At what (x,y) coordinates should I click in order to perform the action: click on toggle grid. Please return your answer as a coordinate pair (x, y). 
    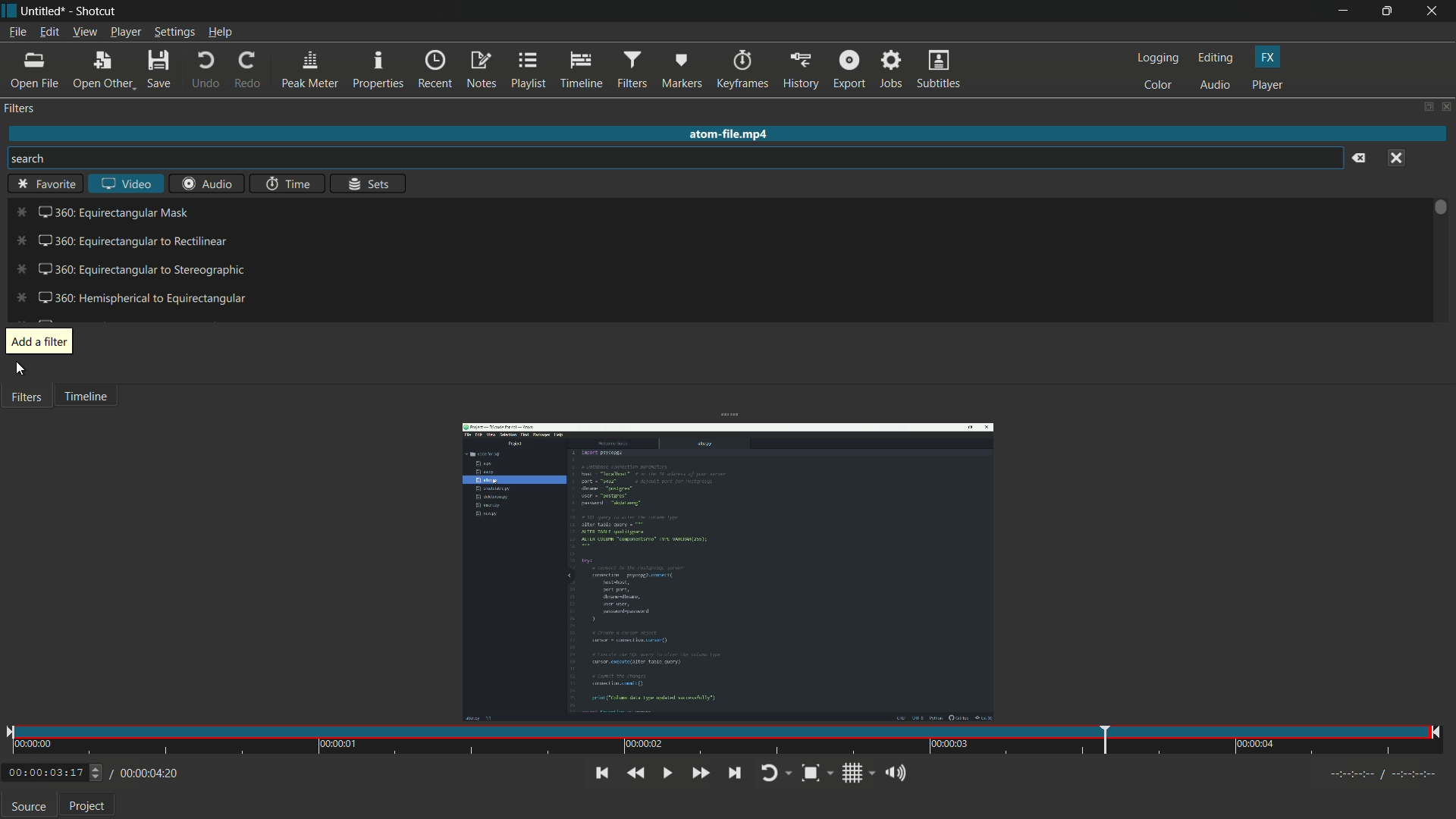
    Looking at the image, I should click on (854, 773).